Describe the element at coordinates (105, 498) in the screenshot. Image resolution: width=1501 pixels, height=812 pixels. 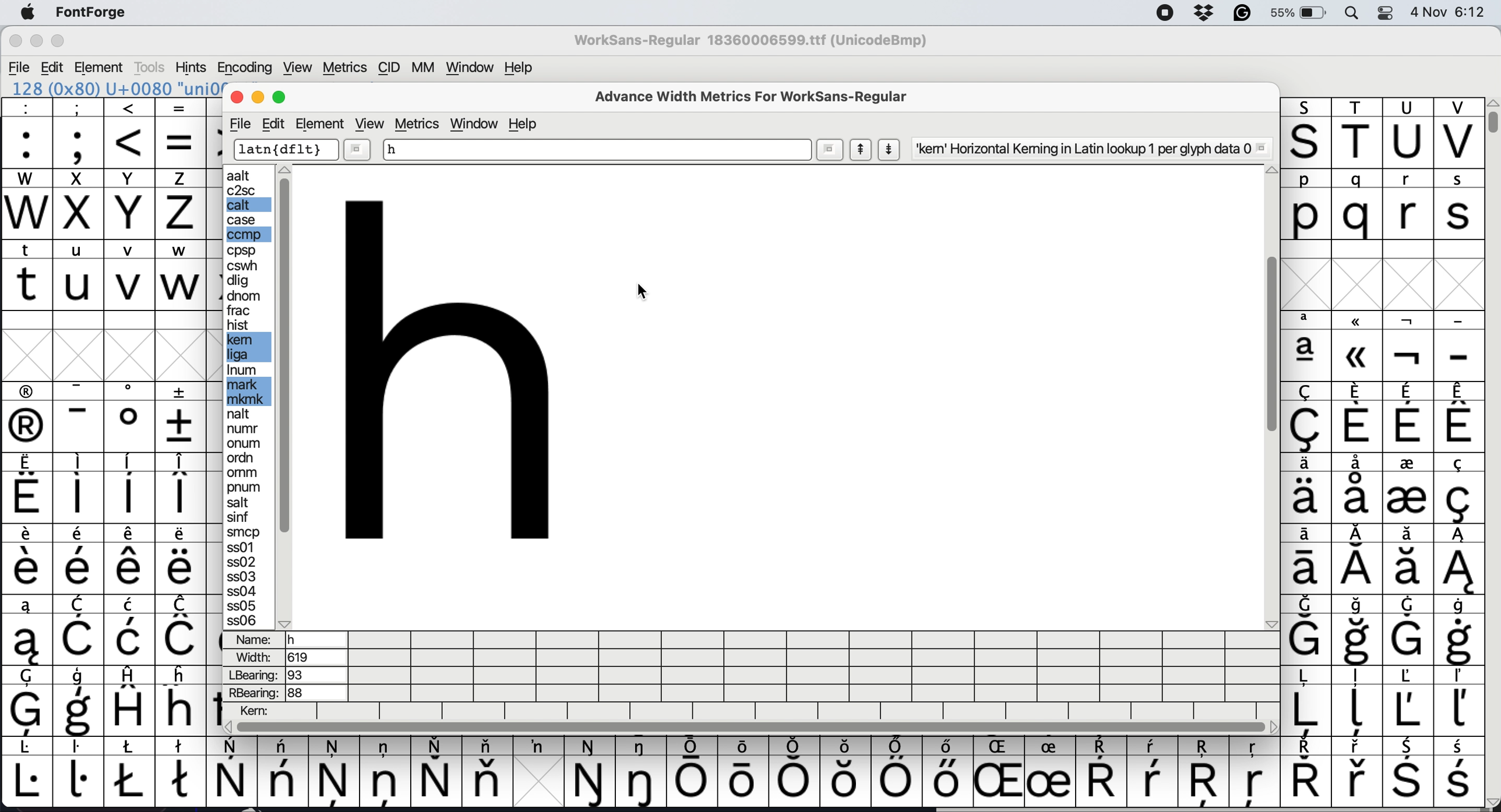
I see `special characters` at that location.